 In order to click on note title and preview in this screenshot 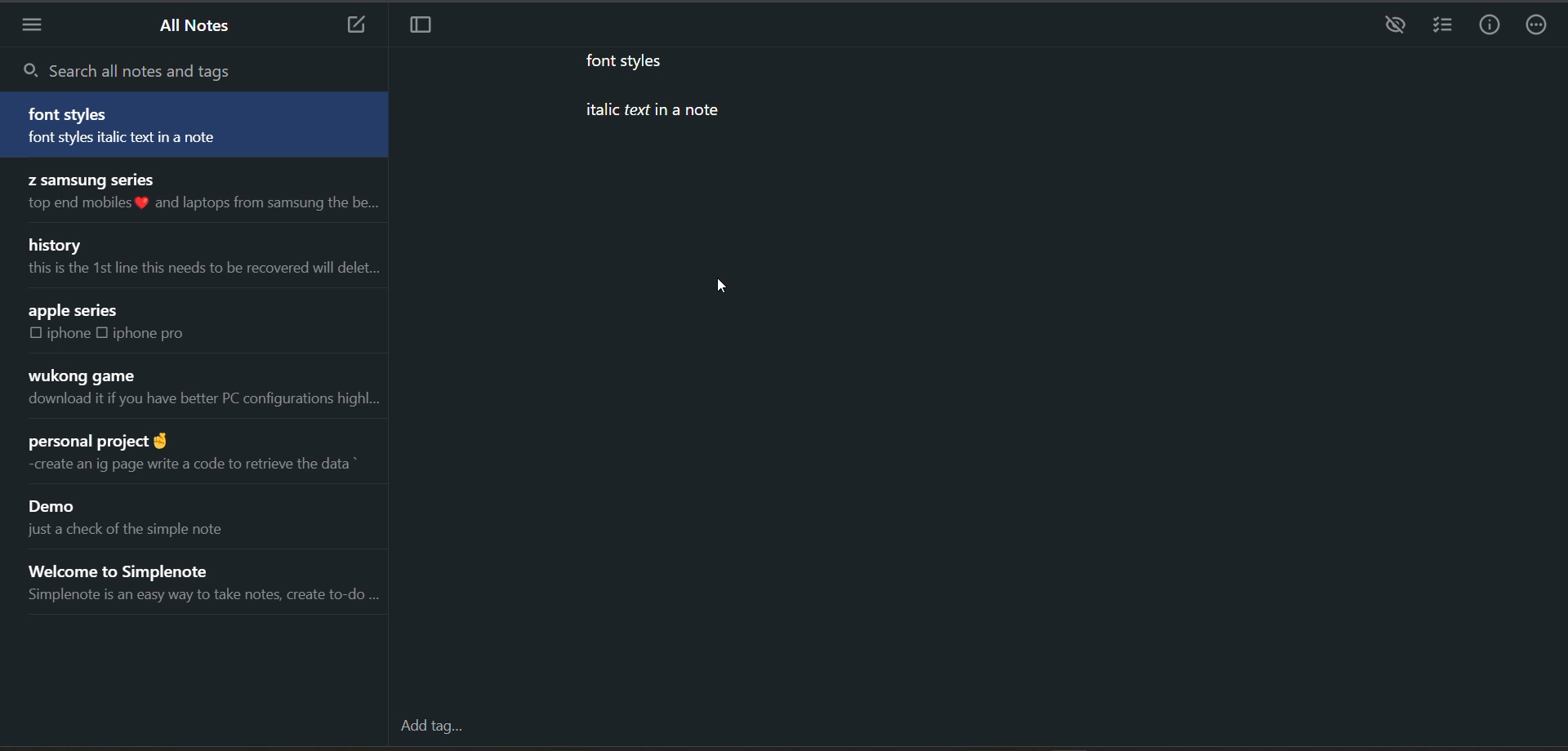, I will do `click(201, 195)`.